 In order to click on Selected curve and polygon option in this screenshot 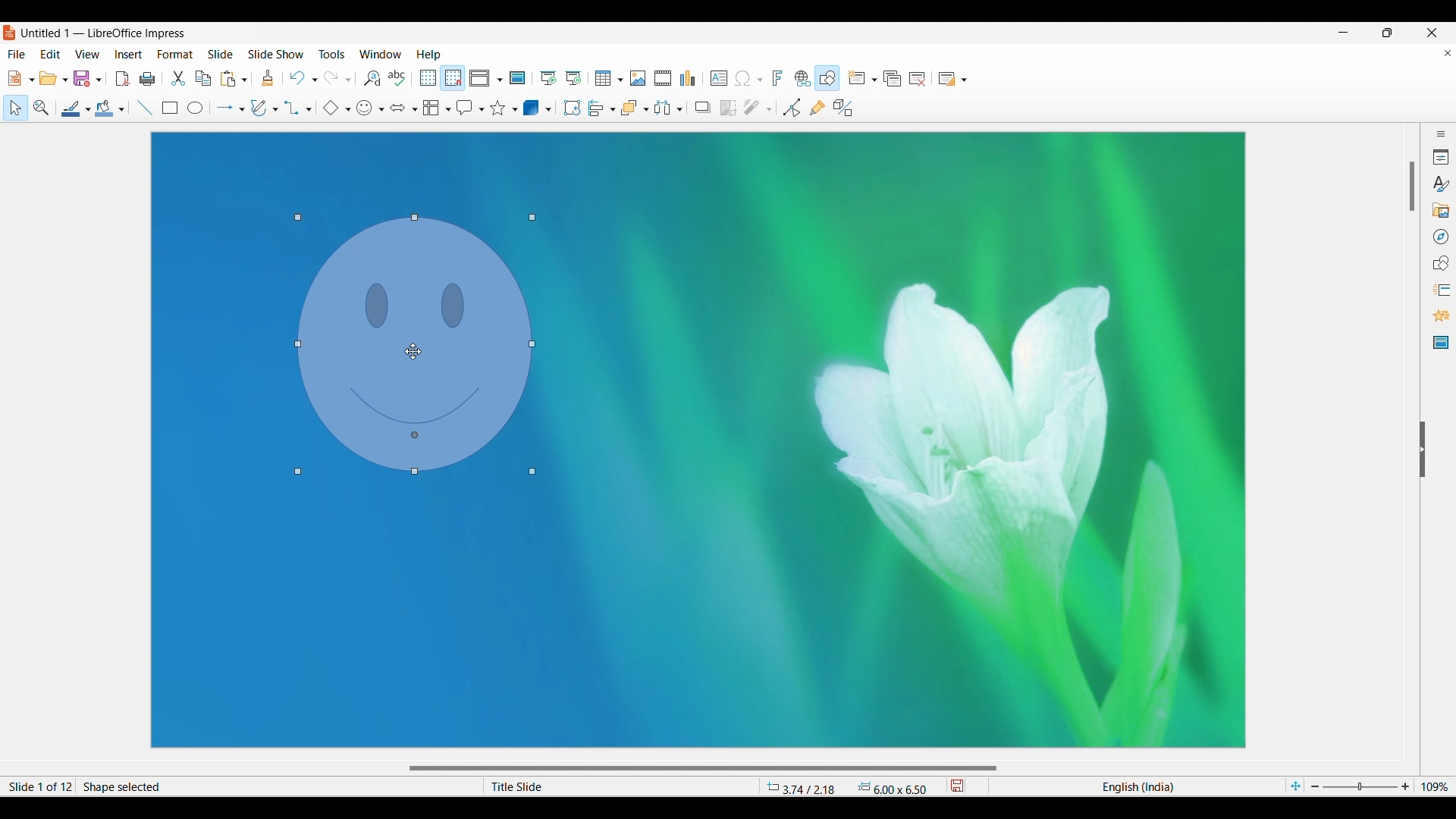, I will do `click(259, 108)`.